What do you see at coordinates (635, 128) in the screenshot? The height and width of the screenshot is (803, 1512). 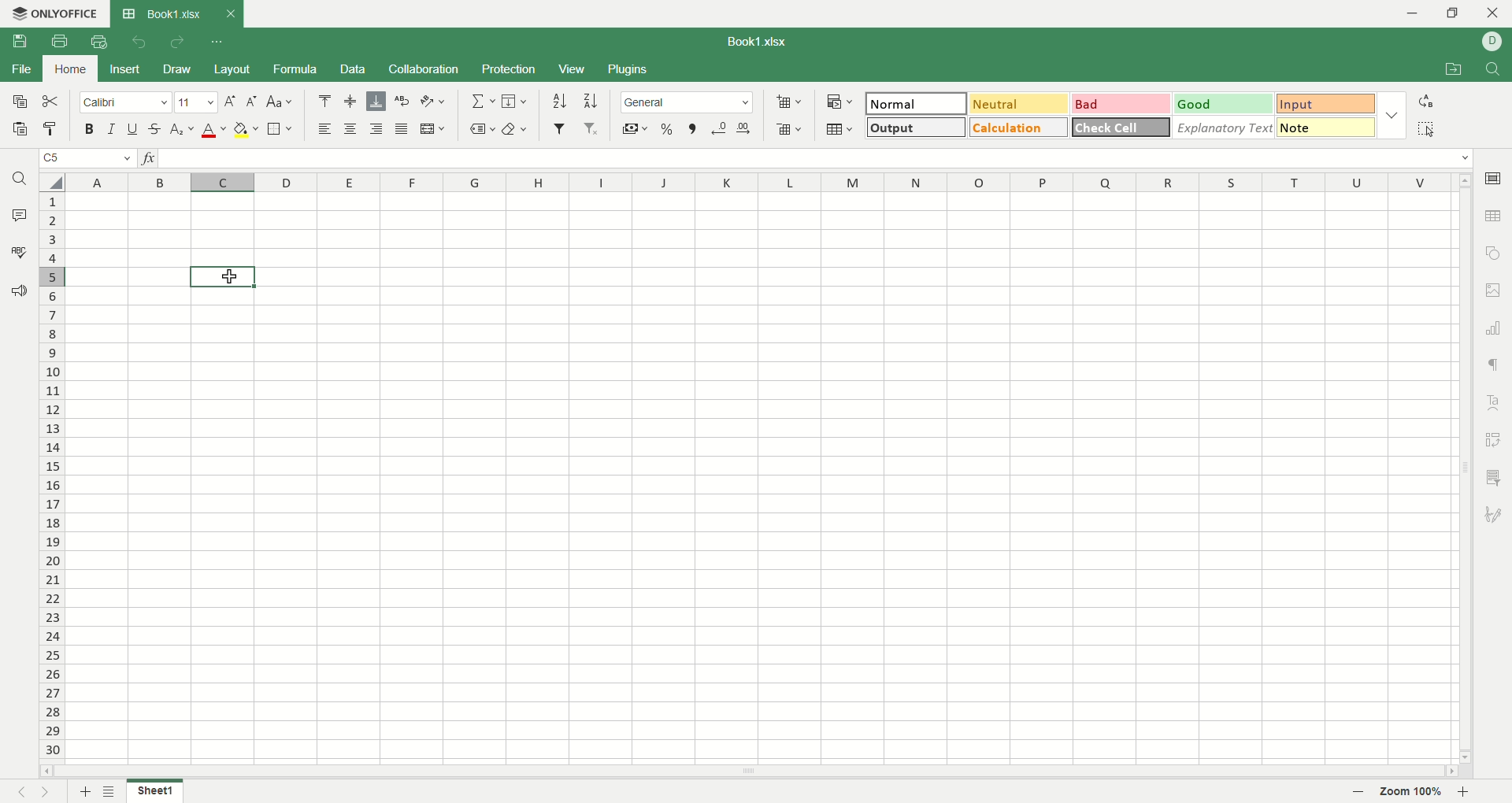 I see `accounting style` at bounding box center [635, 128].